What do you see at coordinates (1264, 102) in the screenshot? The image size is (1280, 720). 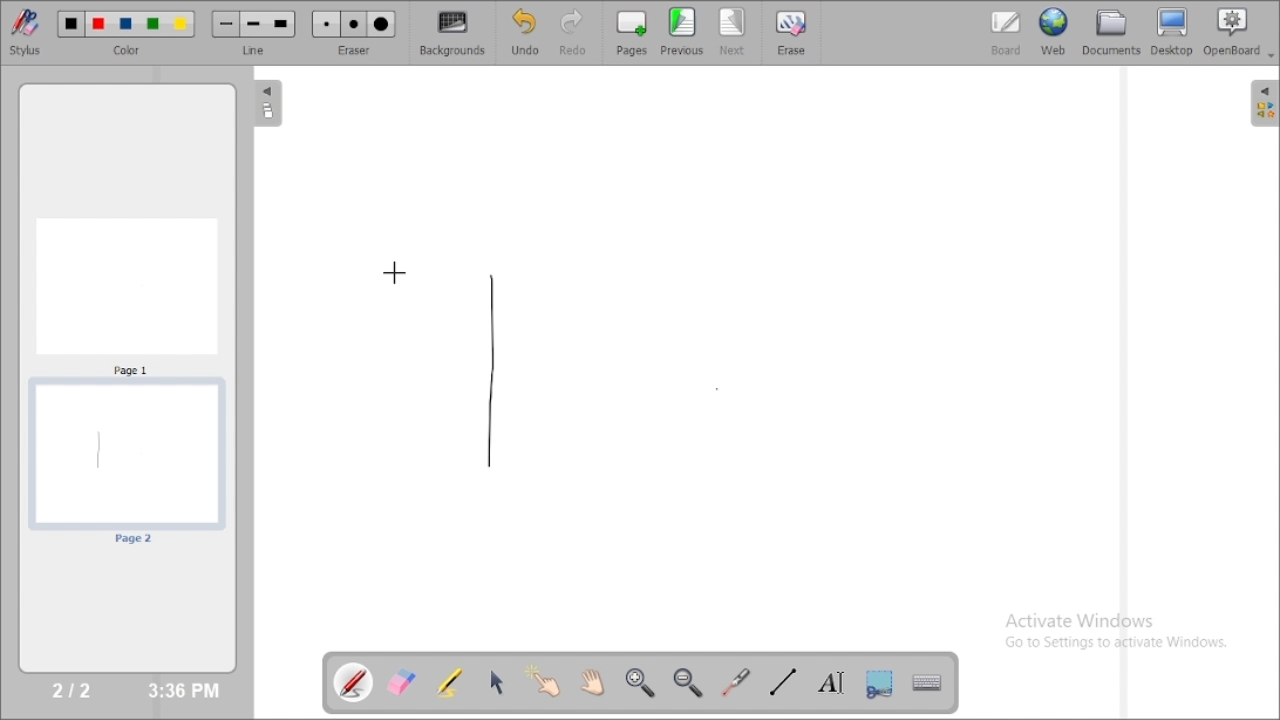 I see `The library` at bounding box center [1264, 102].